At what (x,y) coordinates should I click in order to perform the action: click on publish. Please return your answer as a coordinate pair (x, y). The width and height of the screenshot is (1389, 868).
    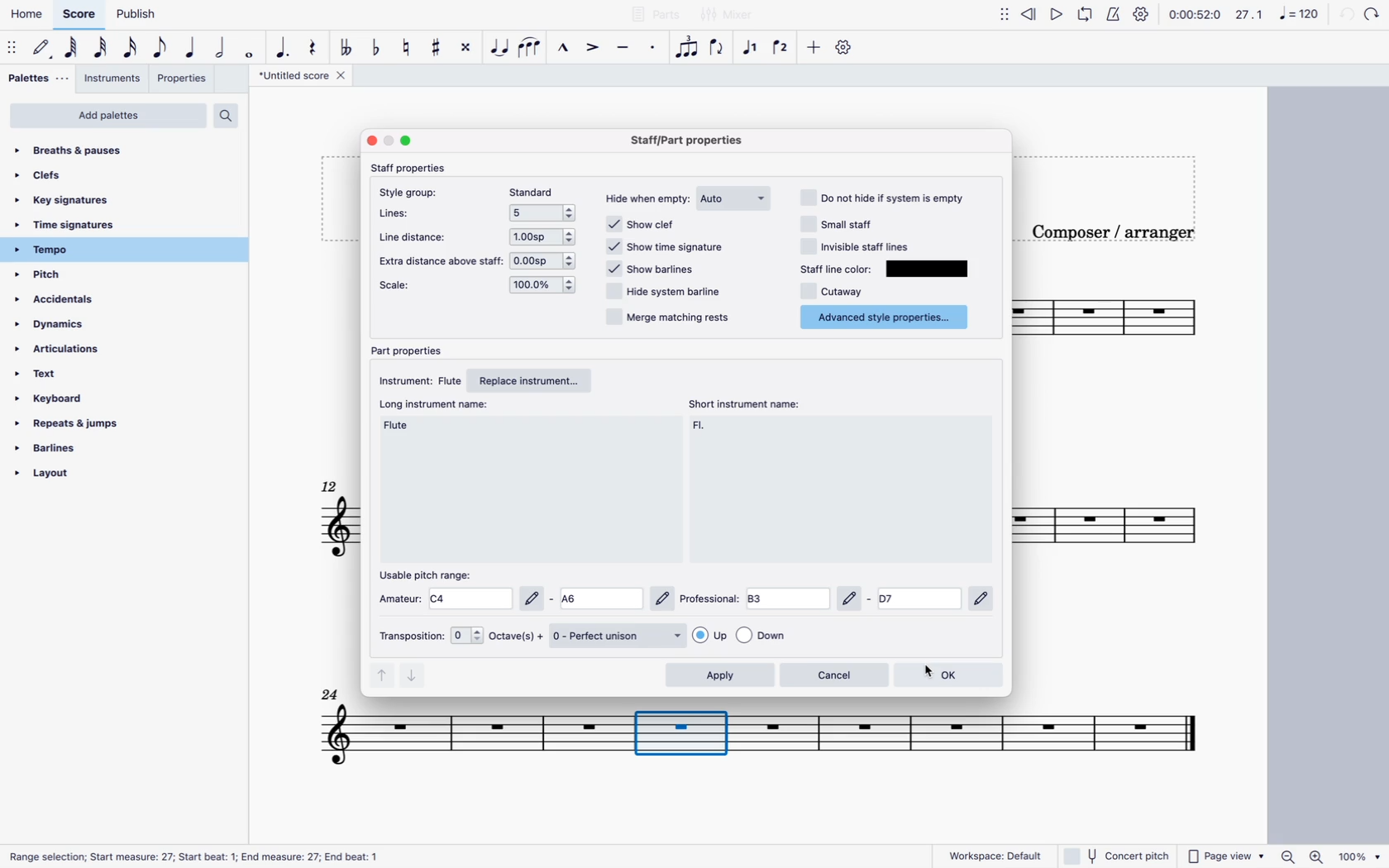
    Looking at the image, I should click on (135, 16).